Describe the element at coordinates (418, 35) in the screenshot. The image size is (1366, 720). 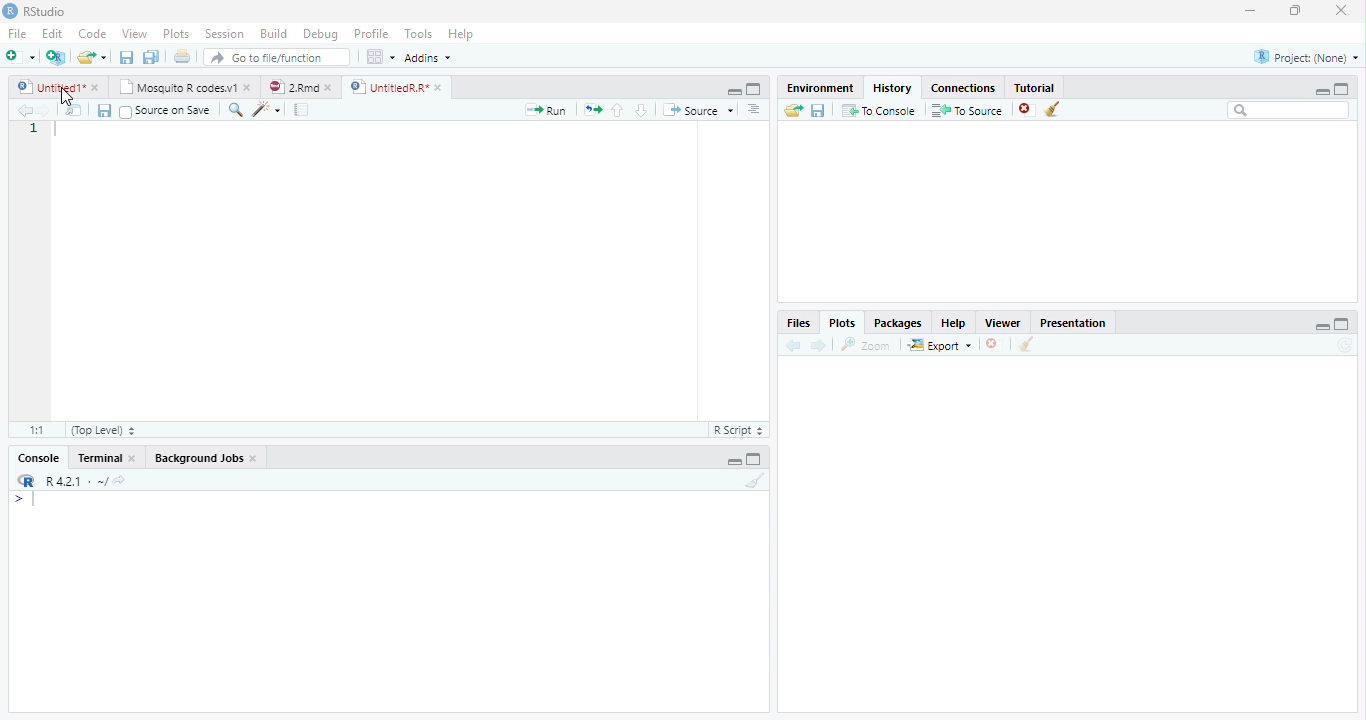
I see `Tools` at that location.